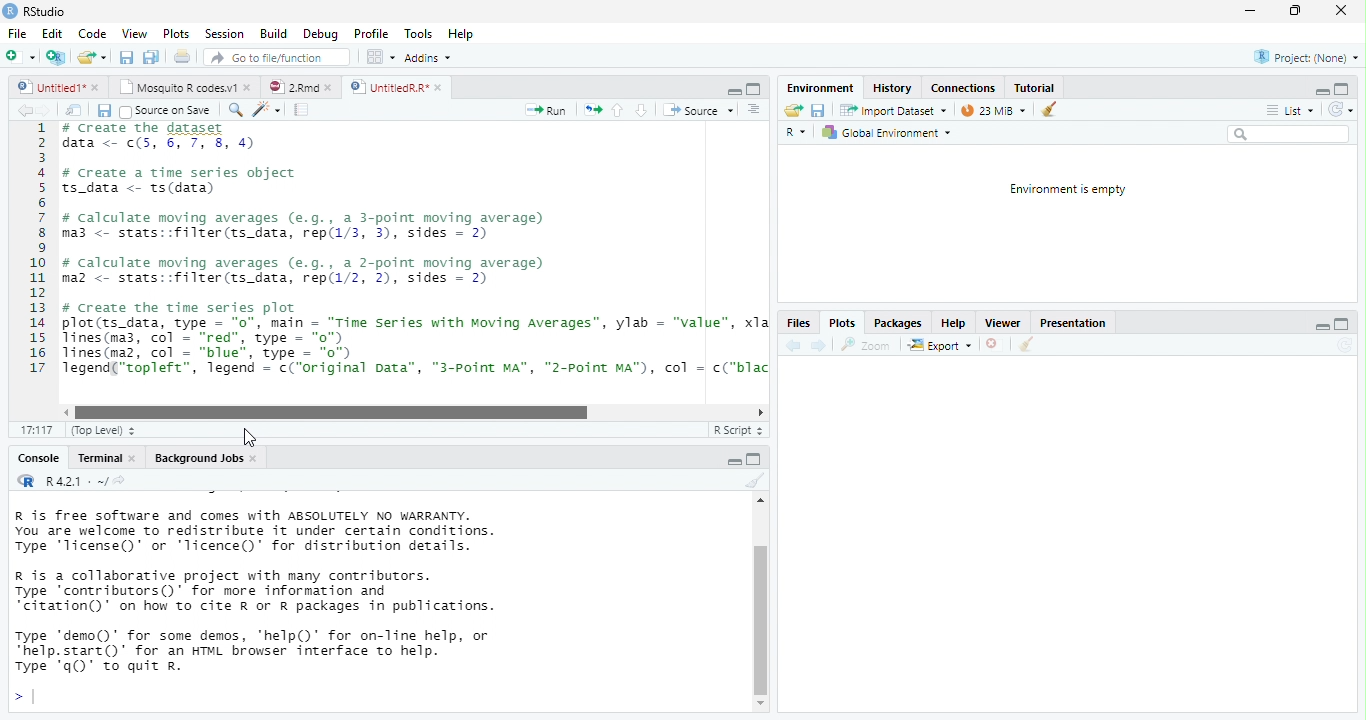 This screenshot has width=1366, height=720. What do you see at coordinates (1340, 325) in the screenshot?
I see `maximize` at bounding box center [1340, 325].